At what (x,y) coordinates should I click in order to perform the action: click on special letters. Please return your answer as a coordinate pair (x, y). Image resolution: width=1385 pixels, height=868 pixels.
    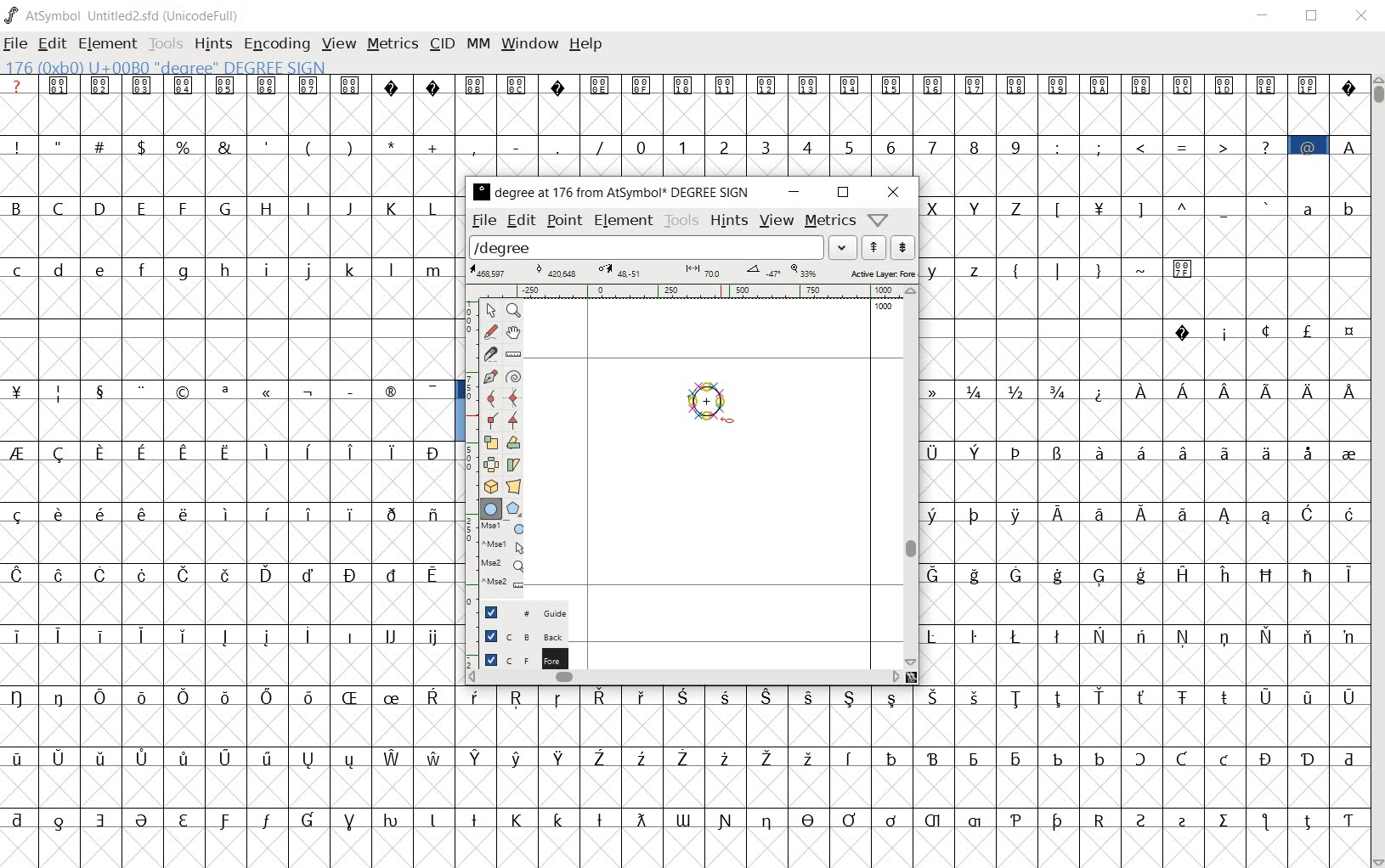
    Looking at the image, I should click on (1144, 633).